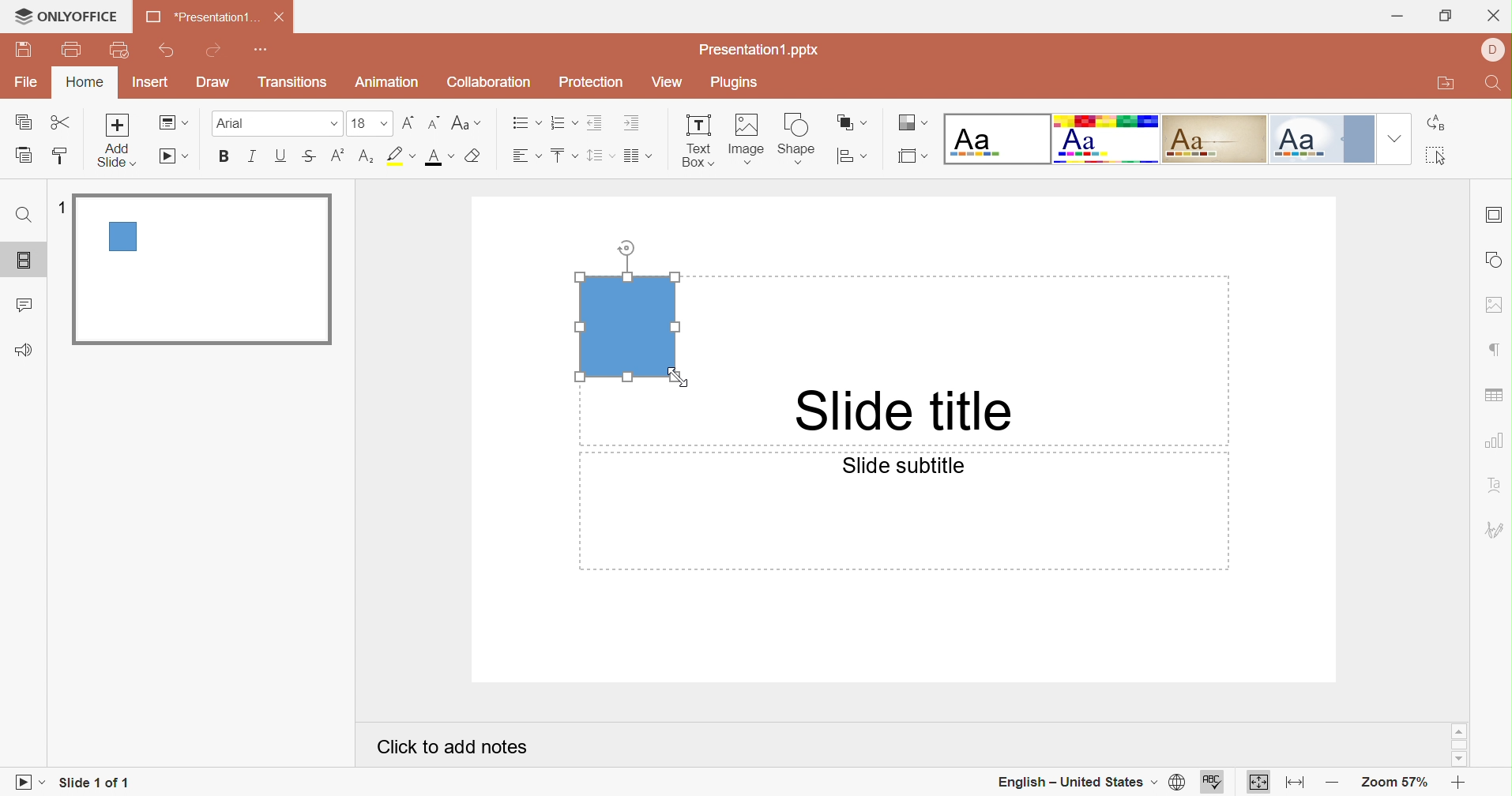 This screenshot has width=1512, height=796. Describe the element at coordinates (433, 123) in the screenshot. I see `Decrement font size` at that location.